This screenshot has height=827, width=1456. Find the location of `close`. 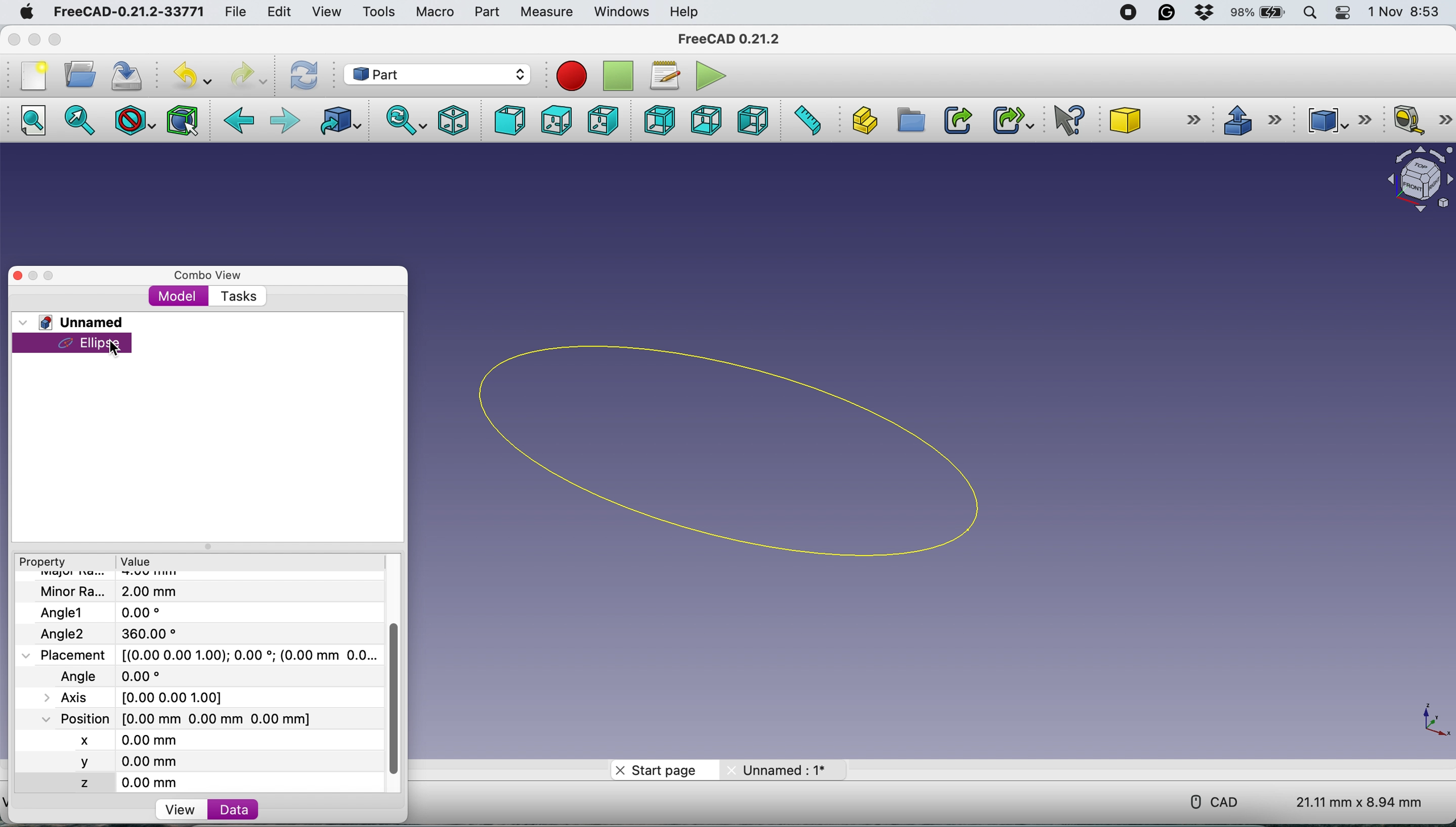

close is located at coordinates (18, 275).